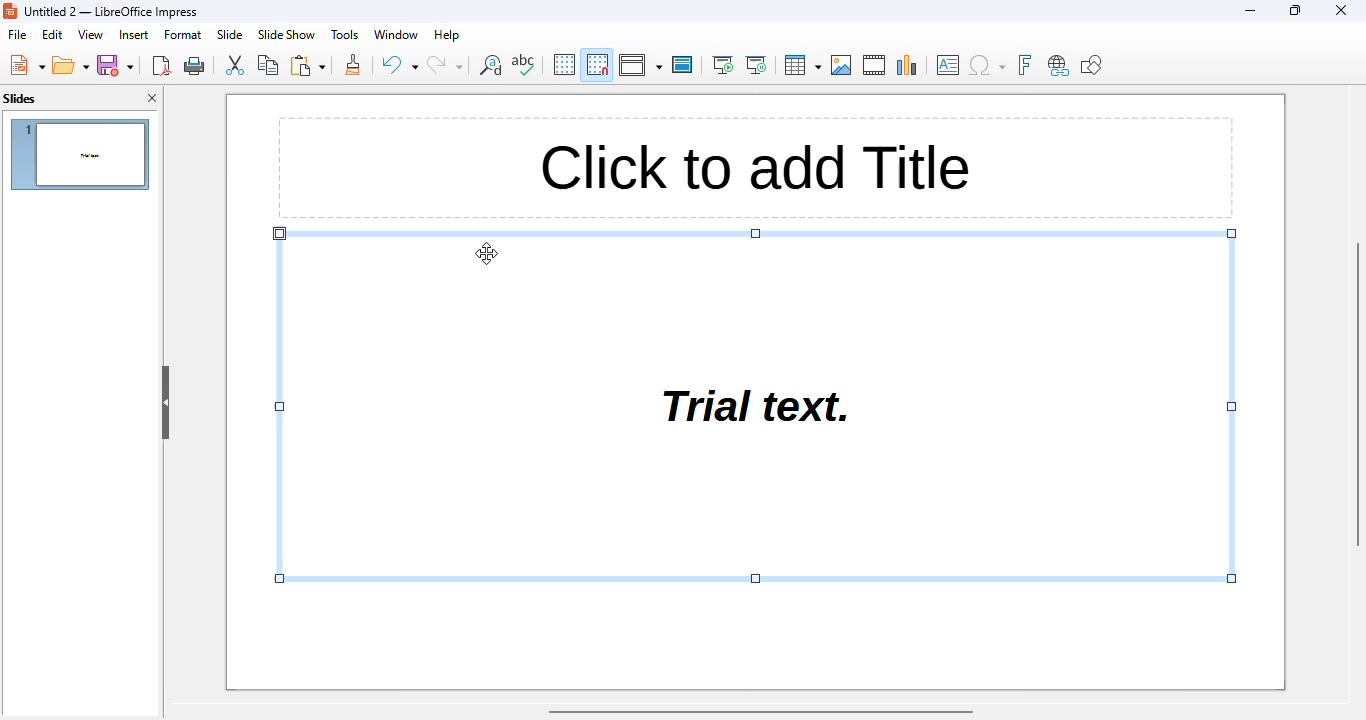 The height and width of the screenshot is (720, 1366). Describe the element at coordinates (525, 65) in the screenshot. I see `spelling` at that location.